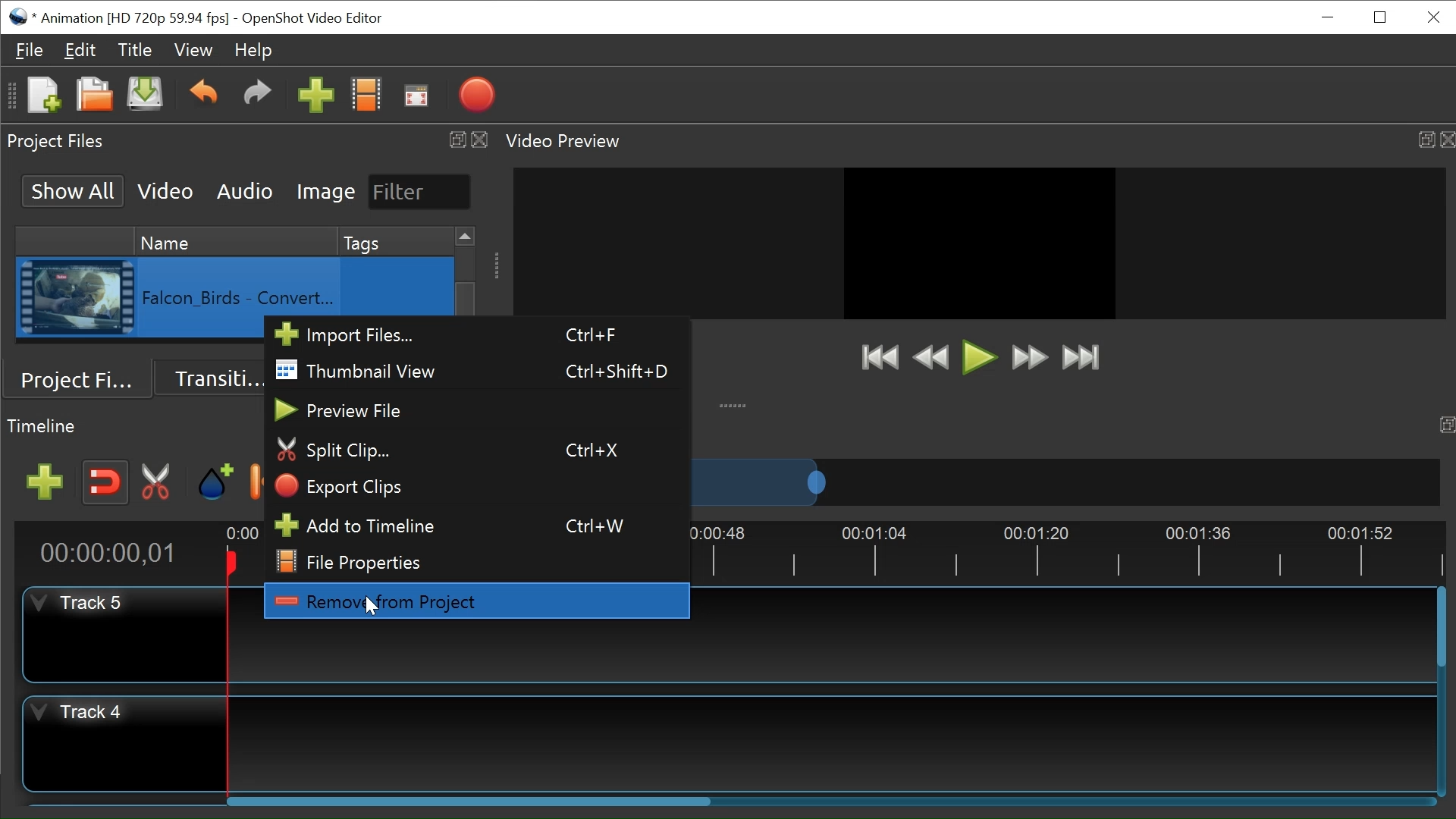  I want to click on Redo, so click(257, 97).